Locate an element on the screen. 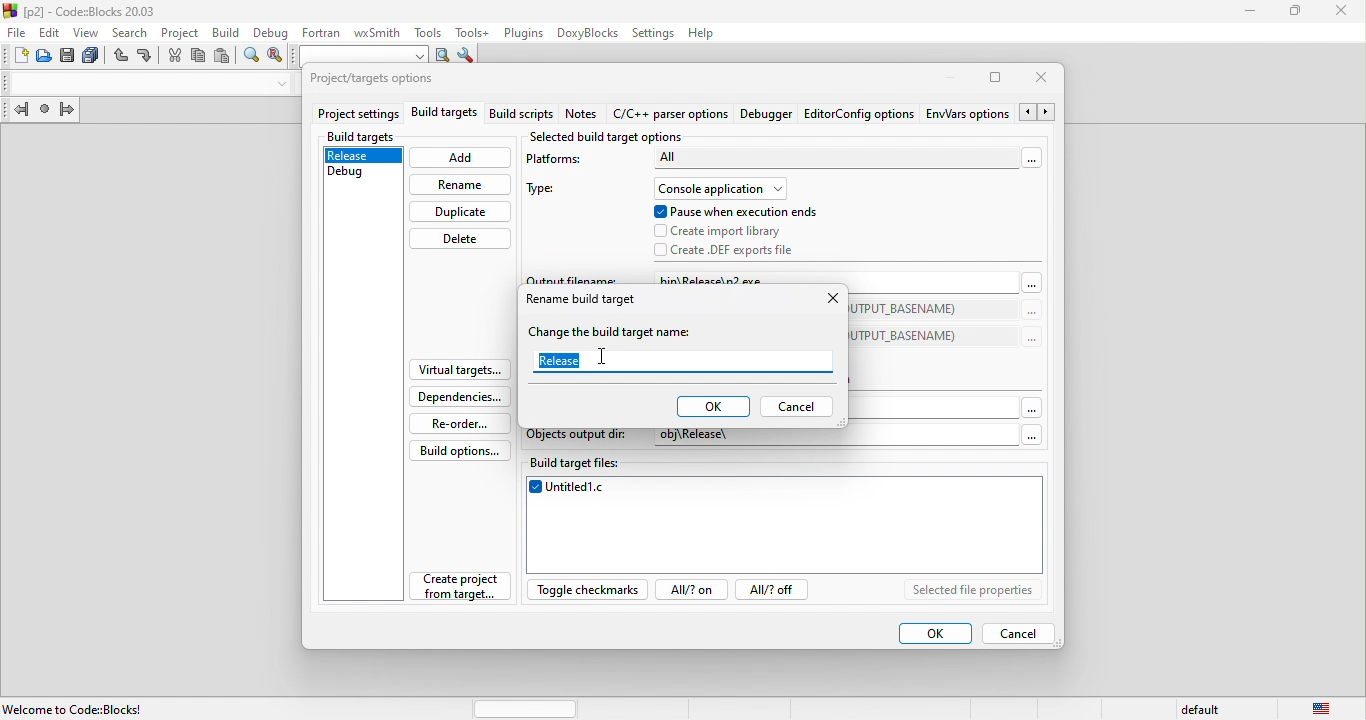  title is located at coordinates (84, 10).